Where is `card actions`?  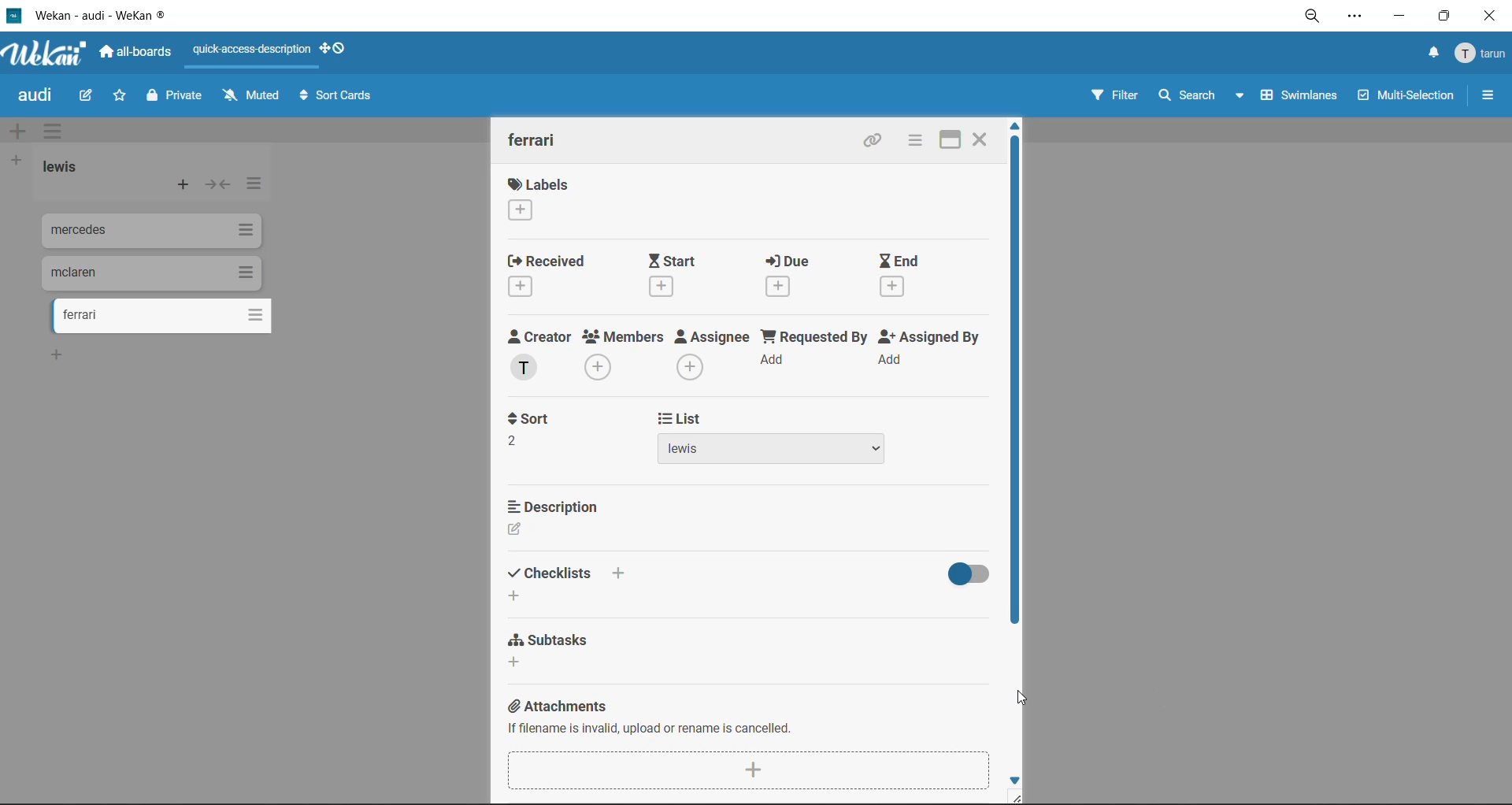 card actions is located at coordinates (913, 142).